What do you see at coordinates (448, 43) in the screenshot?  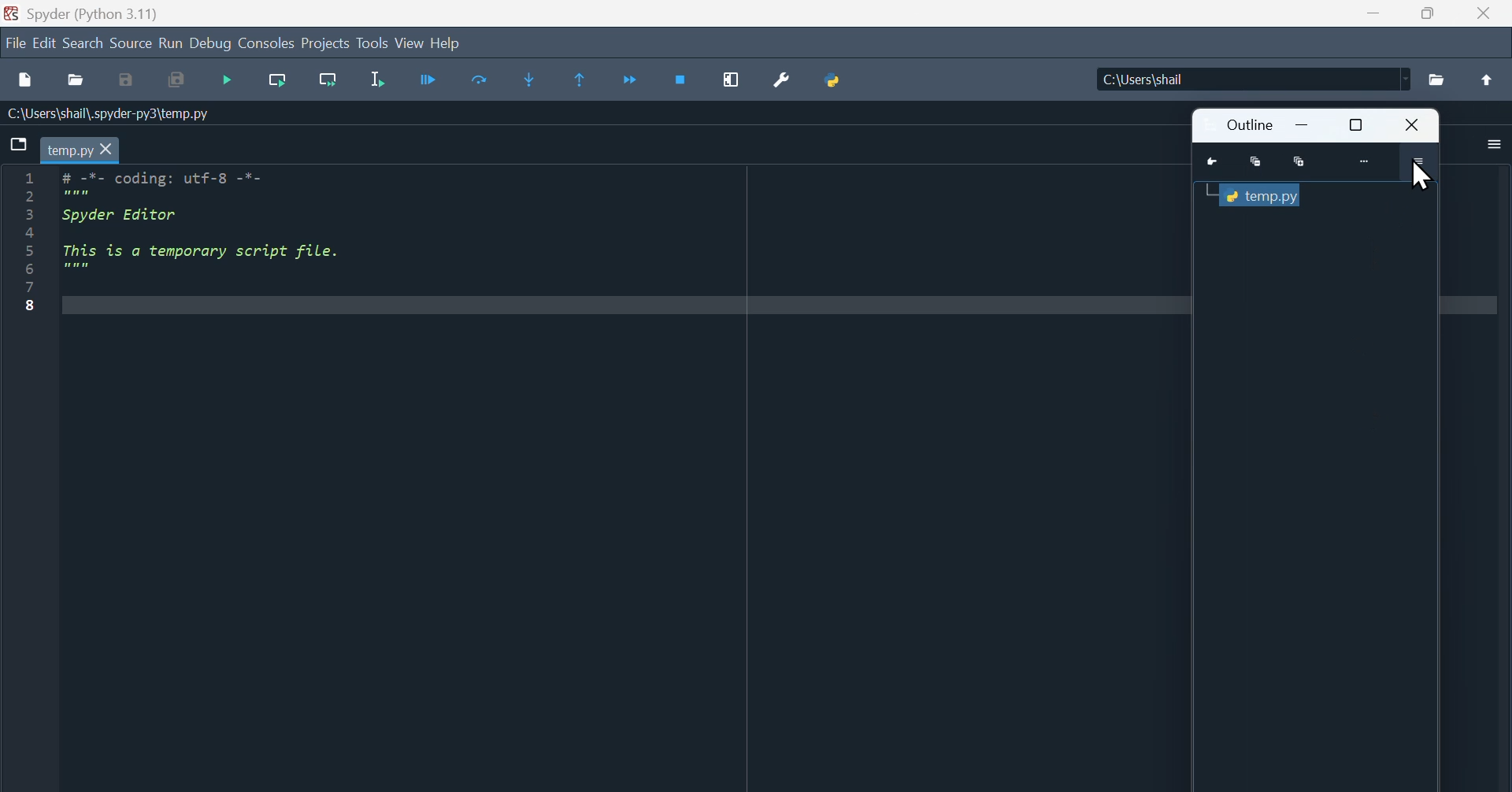 I see `help` at bounding box center [448, 43].